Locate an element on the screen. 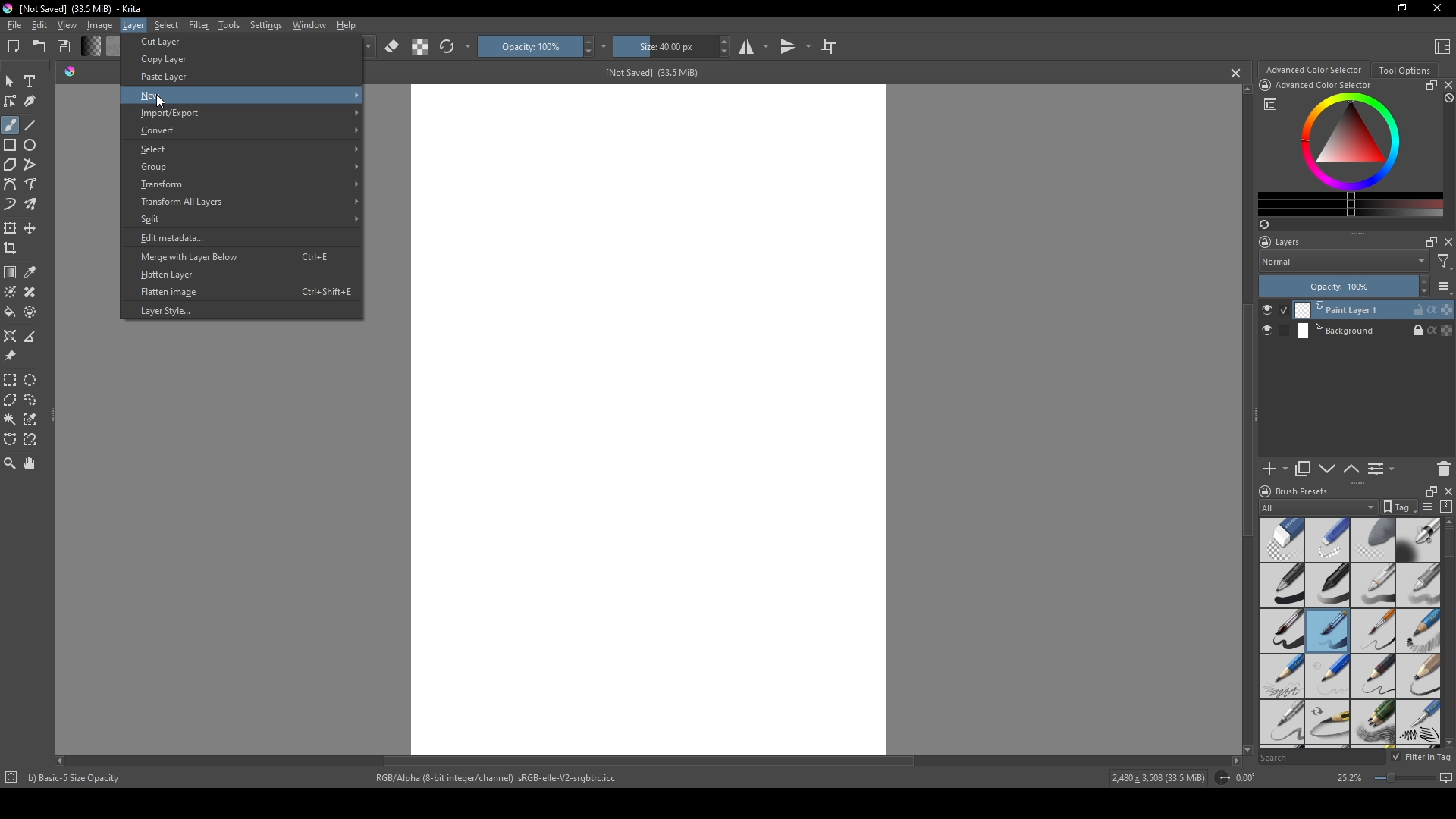 The width and height of the screenshot is (1456, 819). block is located at coordinates (1447, 99).